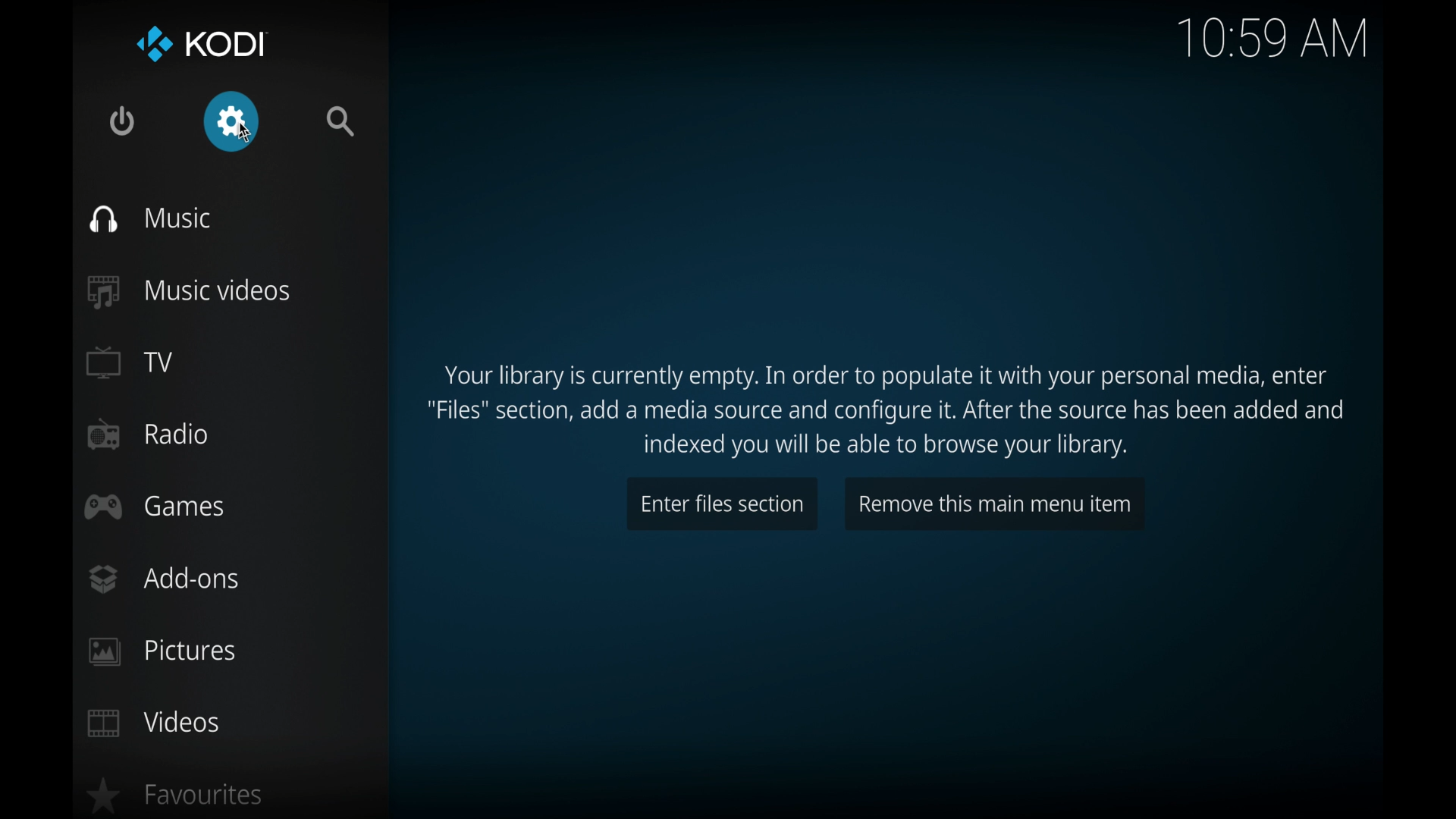  I want to click on kodi, so click(203, 43).